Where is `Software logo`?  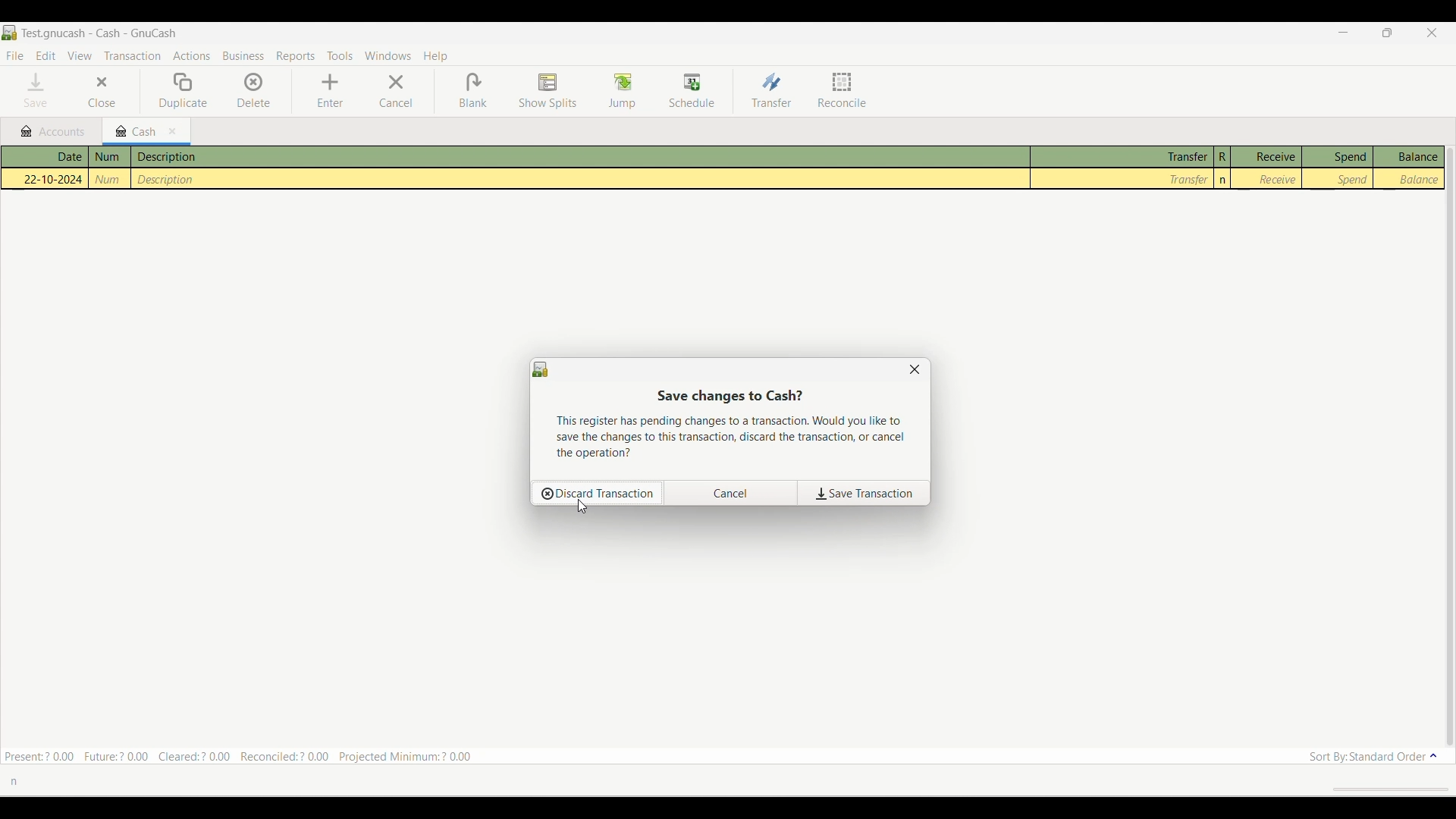
Software logo is located at coordinates (10, 33).